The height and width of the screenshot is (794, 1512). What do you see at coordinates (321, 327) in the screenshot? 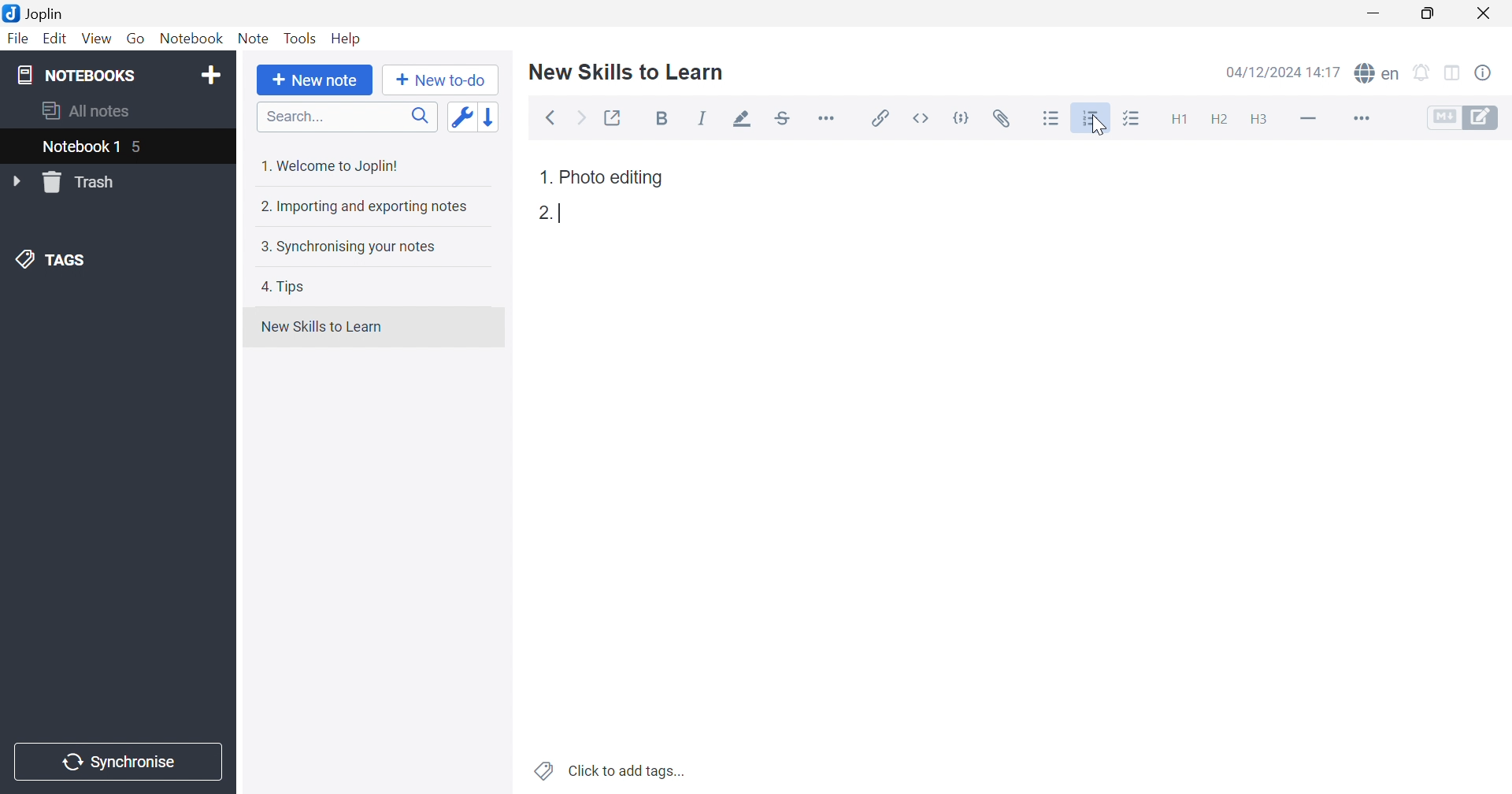
I see `New Skills to Learn` at bounding box center [321, 327].